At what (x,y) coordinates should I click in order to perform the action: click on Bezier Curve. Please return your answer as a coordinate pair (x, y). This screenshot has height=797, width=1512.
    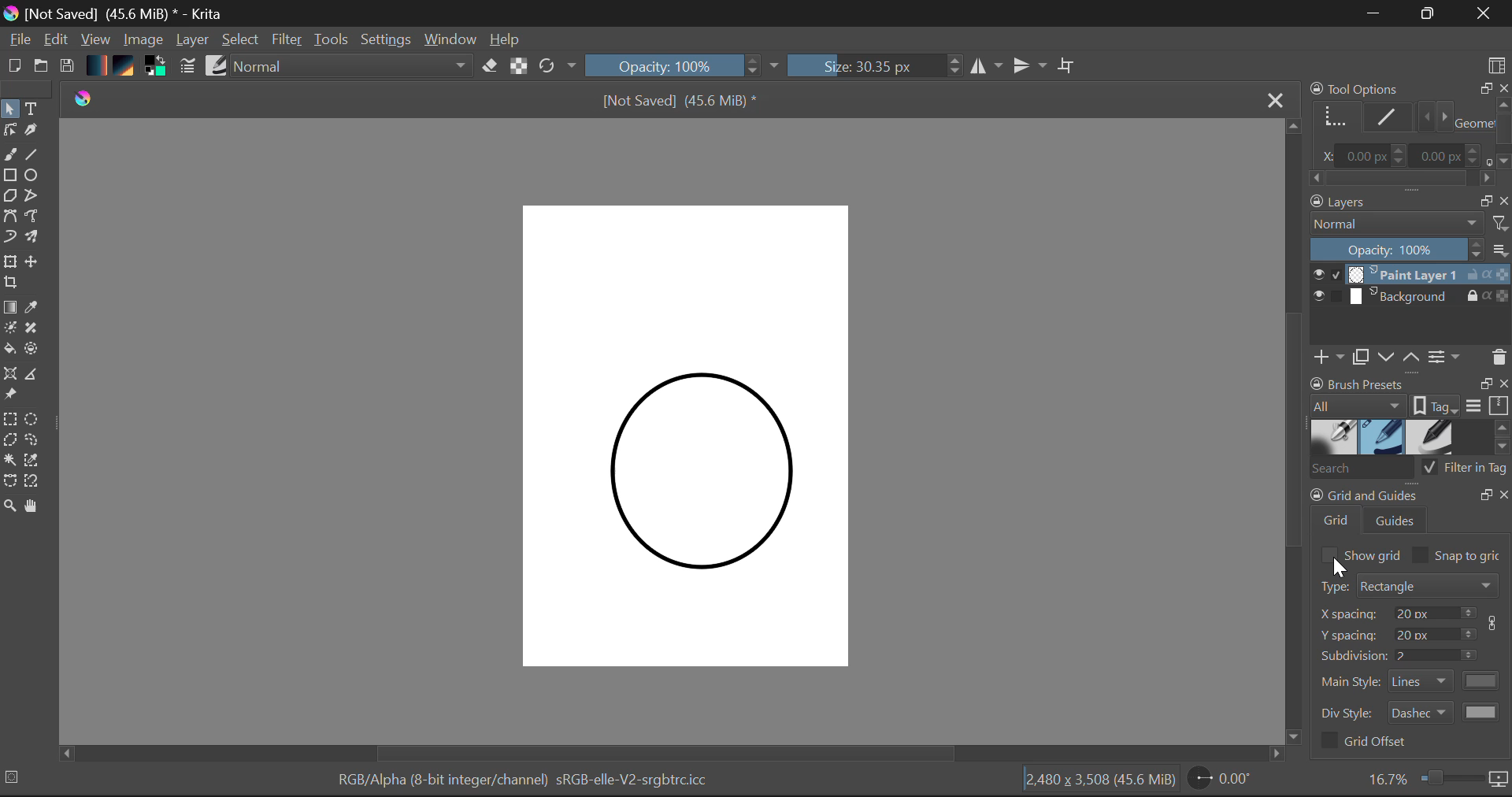
    Looking at the image, I should click on (9, 218).